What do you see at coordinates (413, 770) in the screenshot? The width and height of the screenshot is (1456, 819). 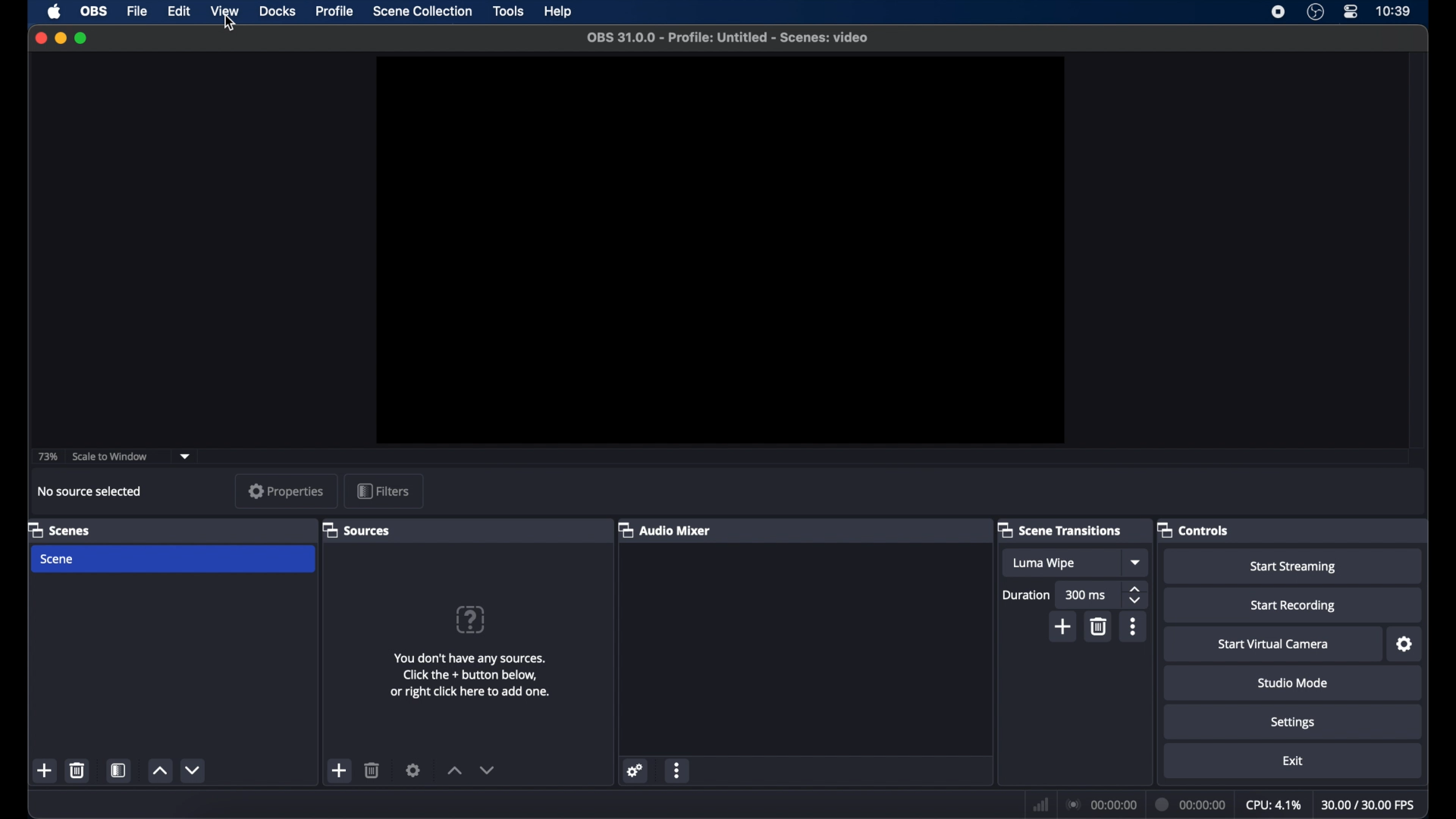 I see `settings` at bounding box center [413, 770].